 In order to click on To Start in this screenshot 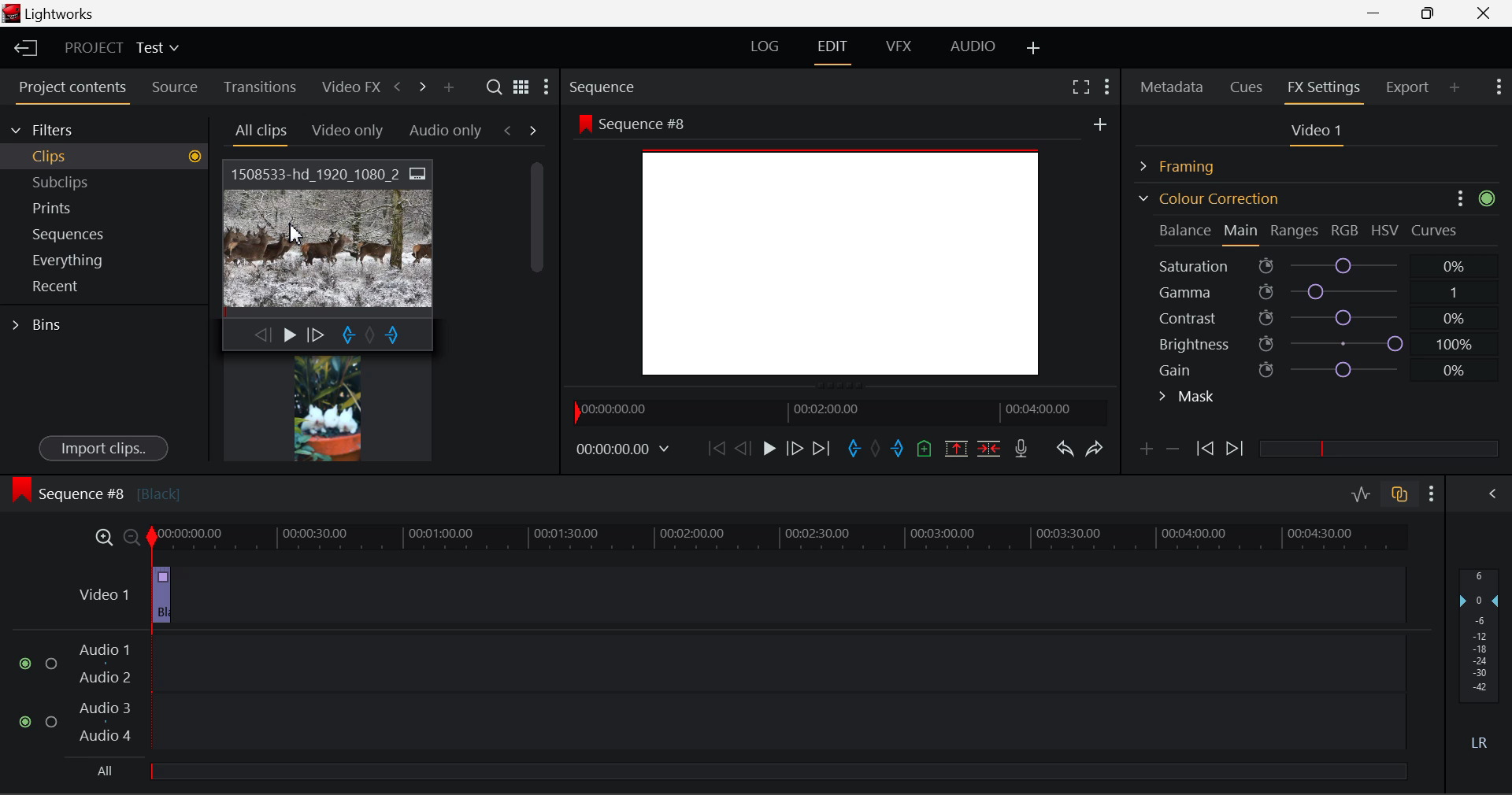, I will do `click(715, 448)`.